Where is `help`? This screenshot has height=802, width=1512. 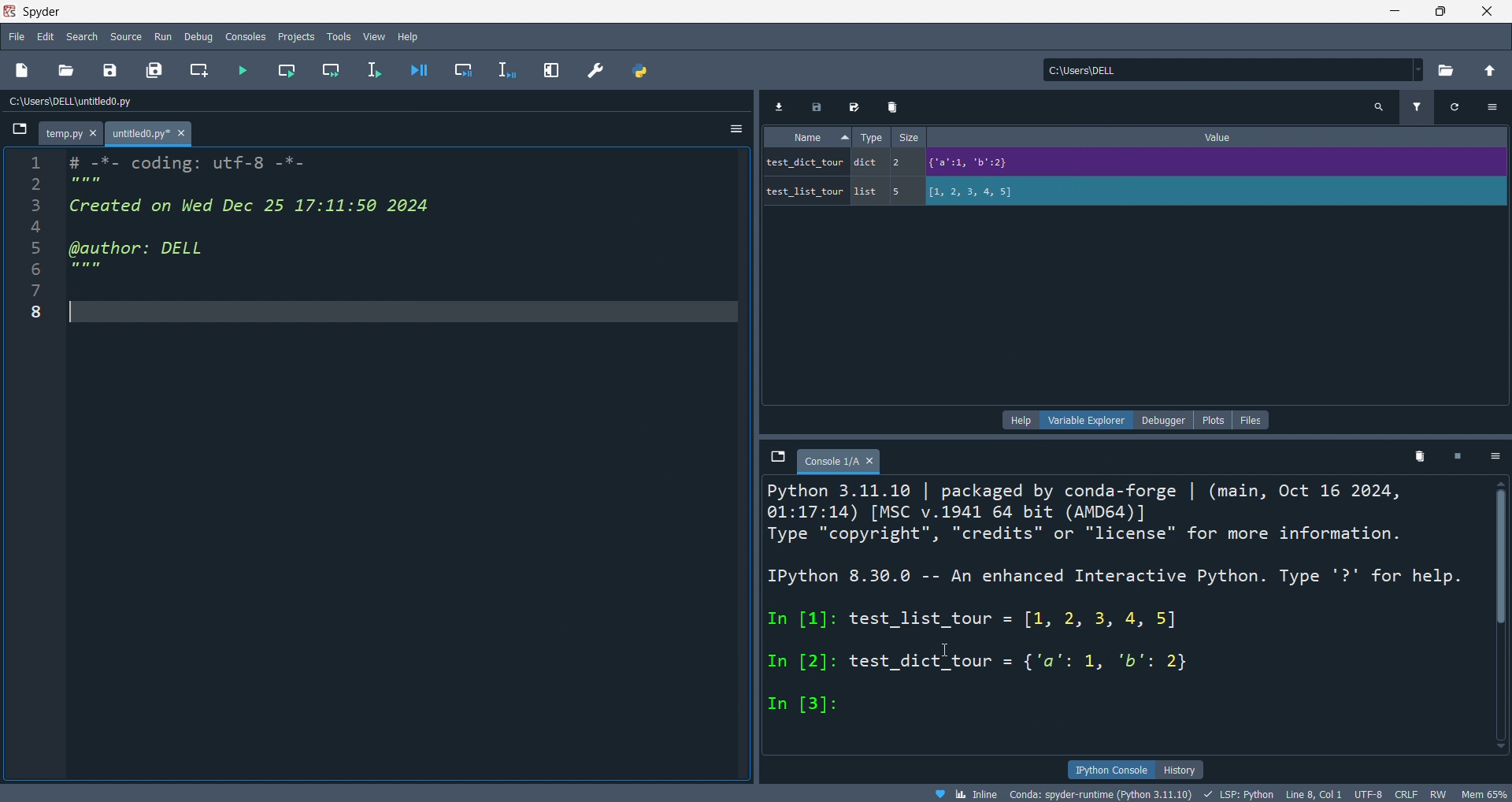
help is located at coordinates (409, 36).